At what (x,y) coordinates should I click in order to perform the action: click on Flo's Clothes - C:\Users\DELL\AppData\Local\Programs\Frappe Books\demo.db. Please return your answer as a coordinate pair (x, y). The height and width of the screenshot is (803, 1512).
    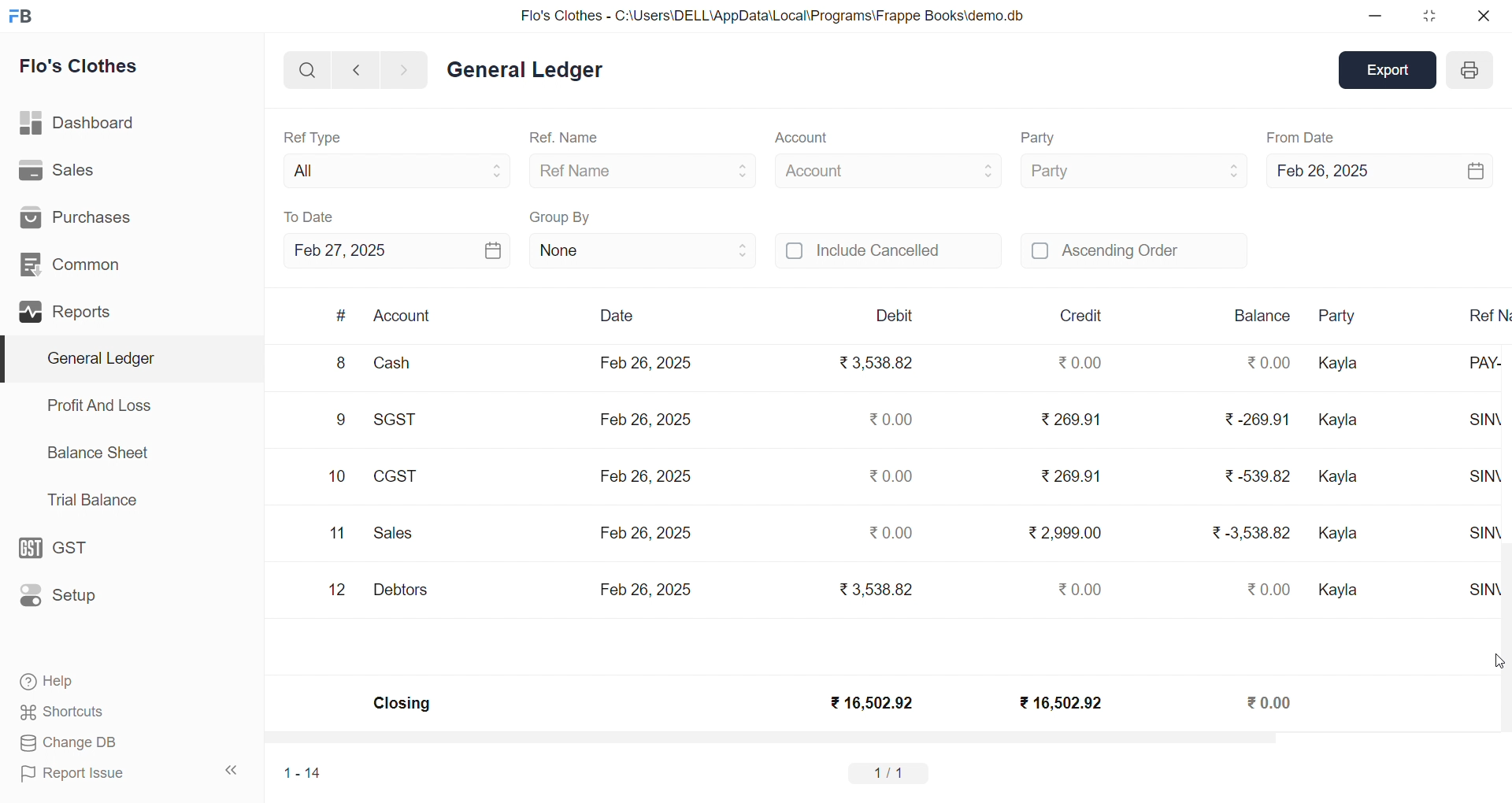
    Looking at the image, I should click on (771, 14).